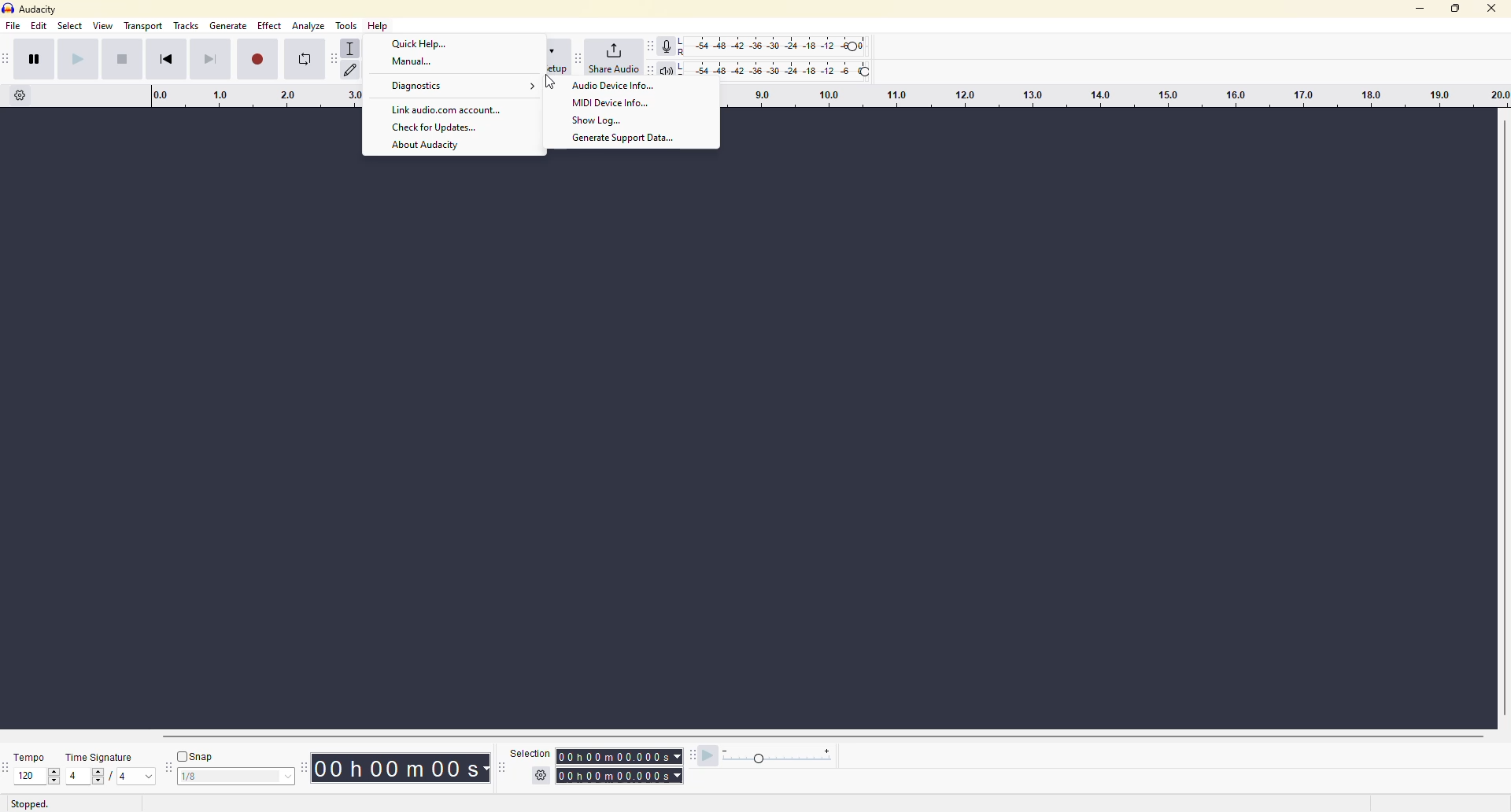  What do you see at coordinates (556, 57) in the screenshot?
I see `Audio setup` at bounding box center [556, 57].